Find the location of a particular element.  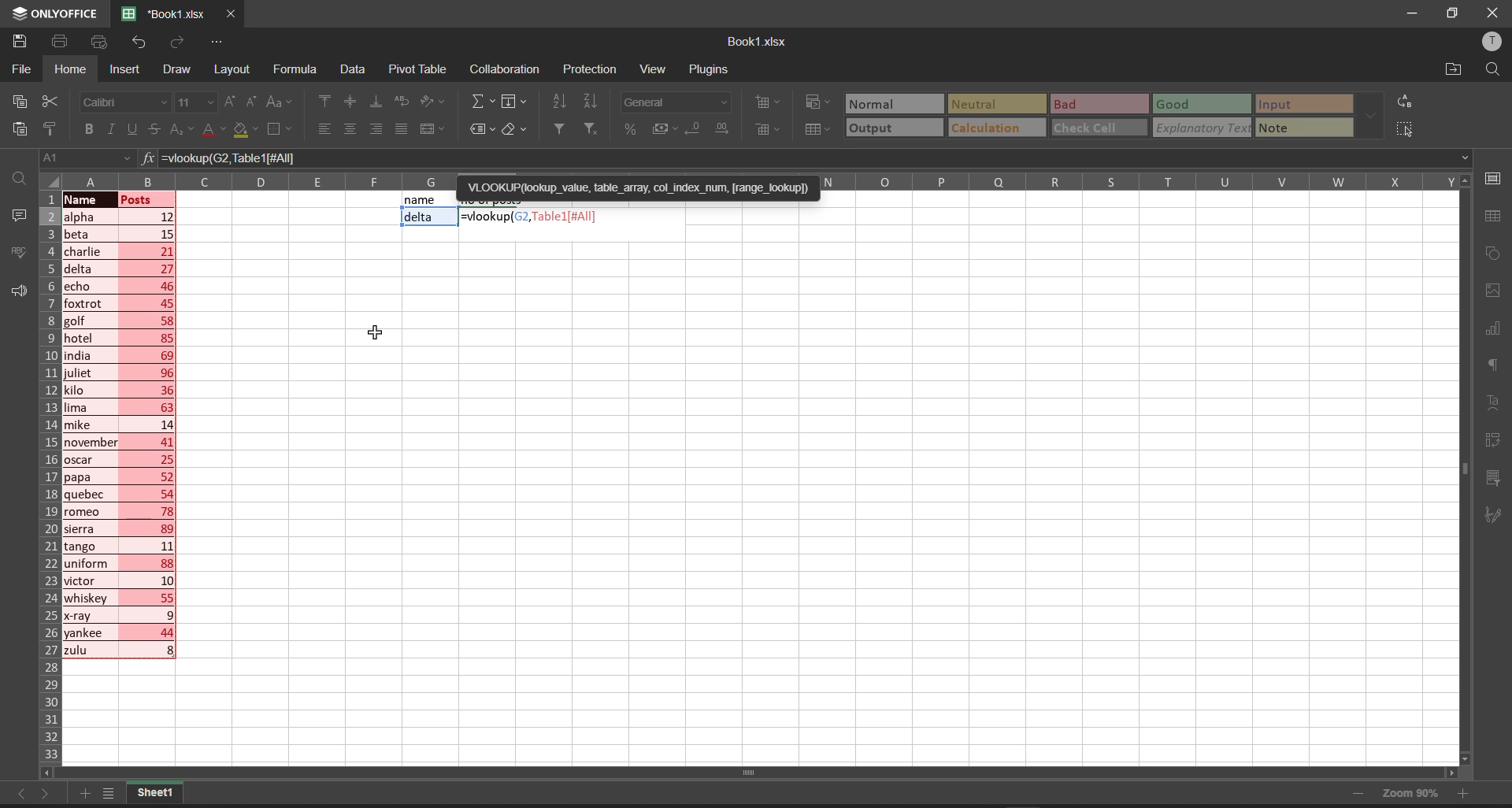

conditional formatting is located at coordinates (817, 101).